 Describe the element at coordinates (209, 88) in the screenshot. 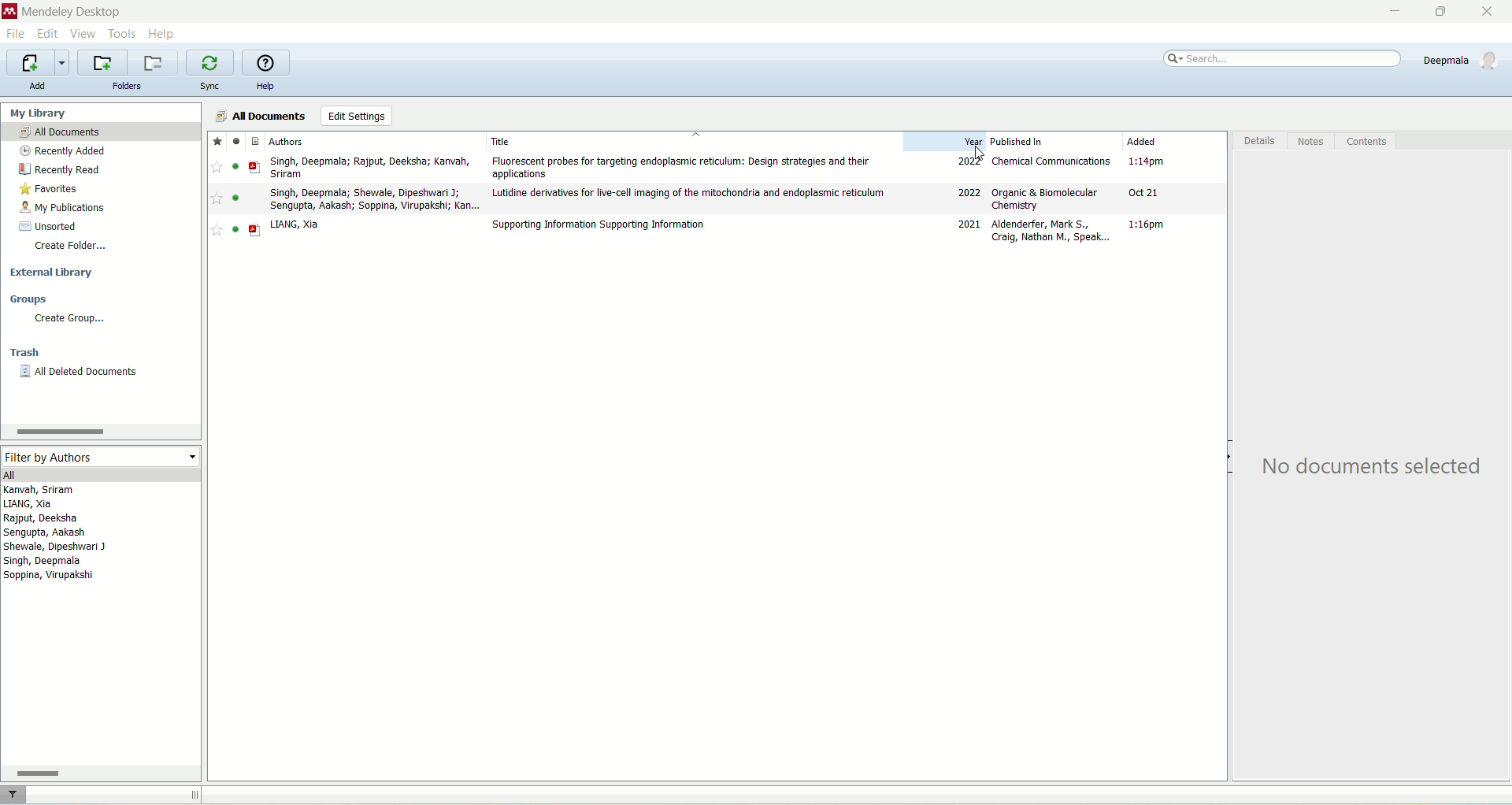

I see `sync` at that location.